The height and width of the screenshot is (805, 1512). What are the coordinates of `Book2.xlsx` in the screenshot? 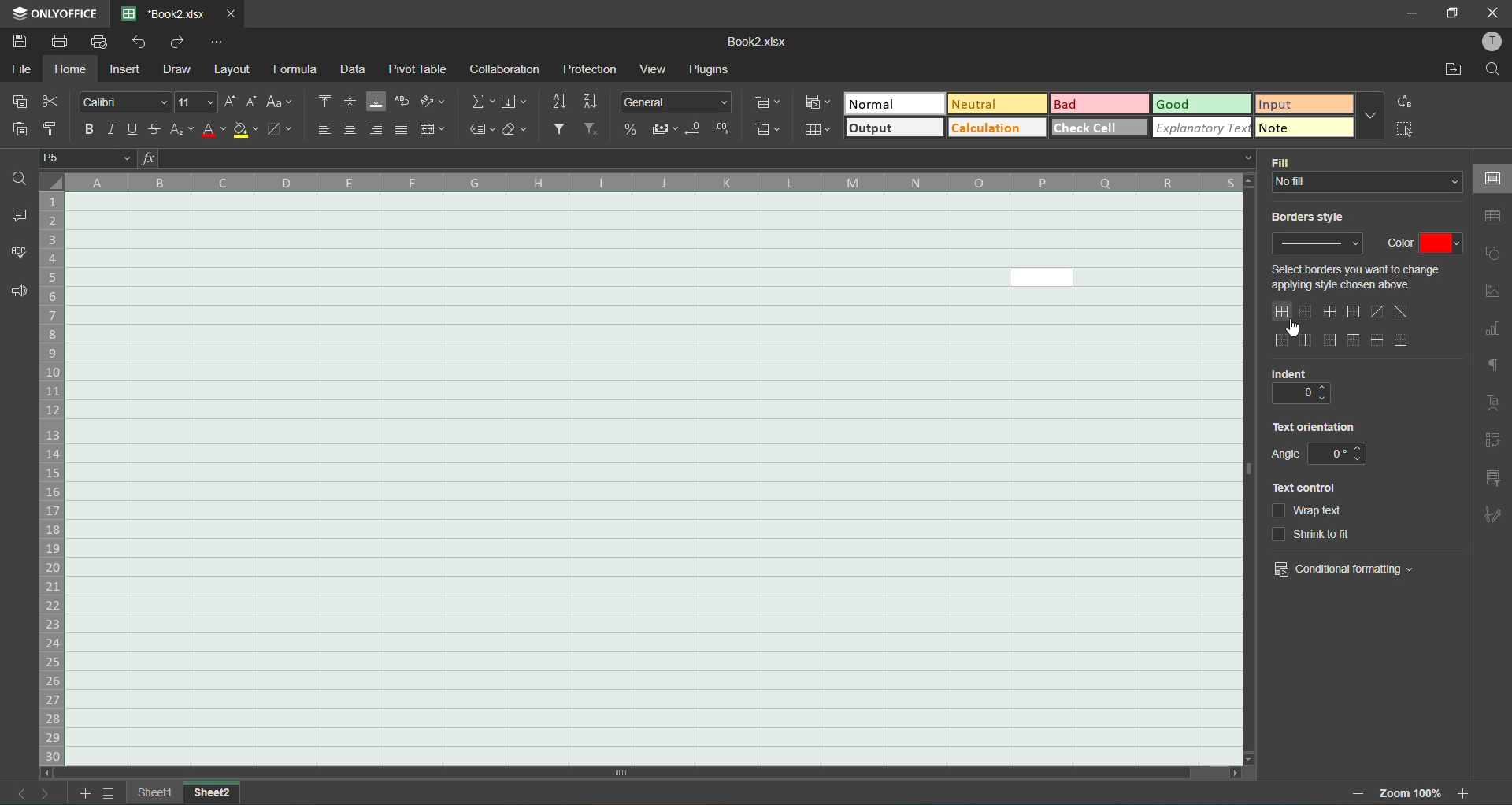 It's located at (761, 43).